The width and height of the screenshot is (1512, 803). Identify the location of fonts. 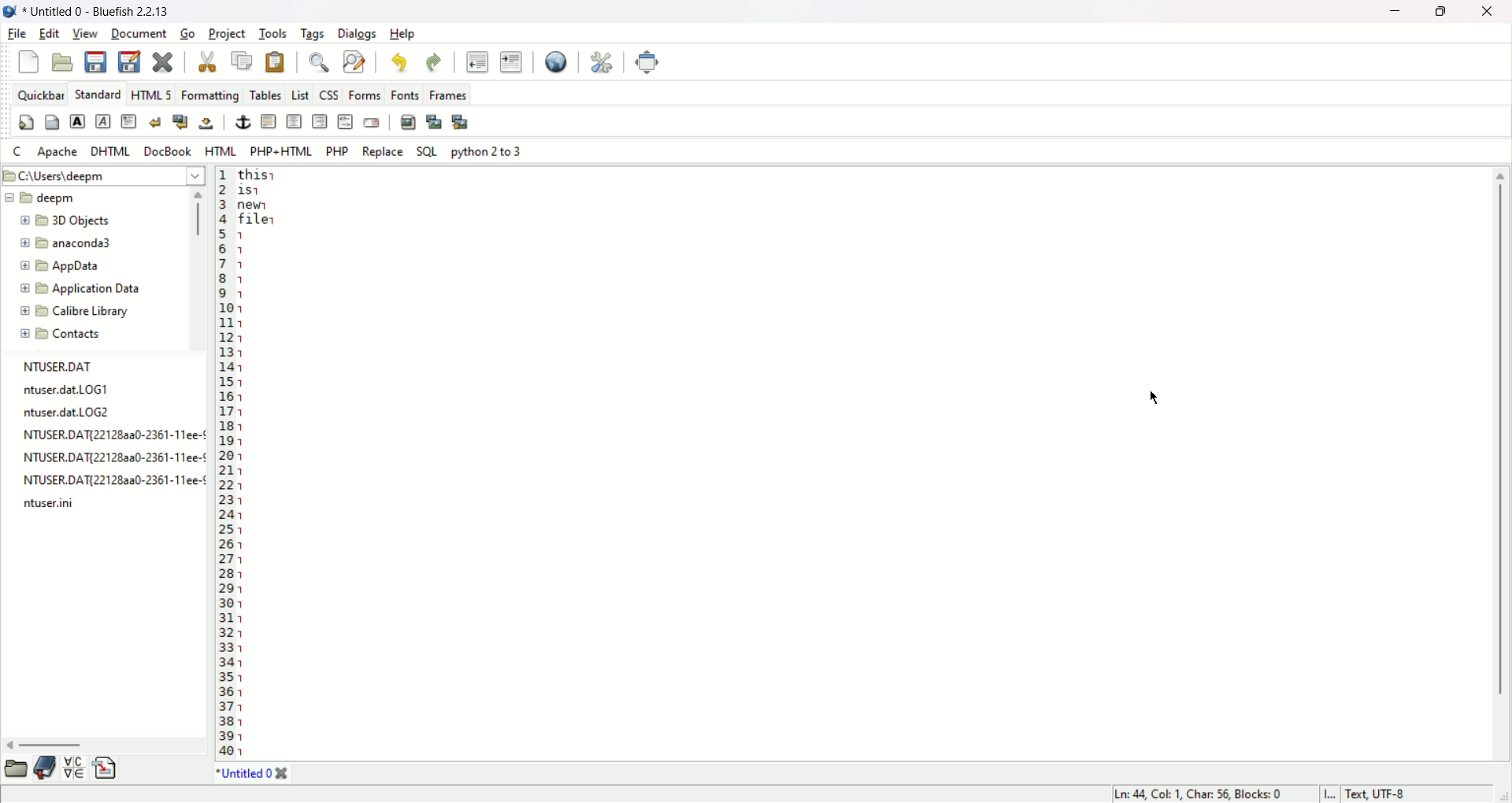
(405, 94).